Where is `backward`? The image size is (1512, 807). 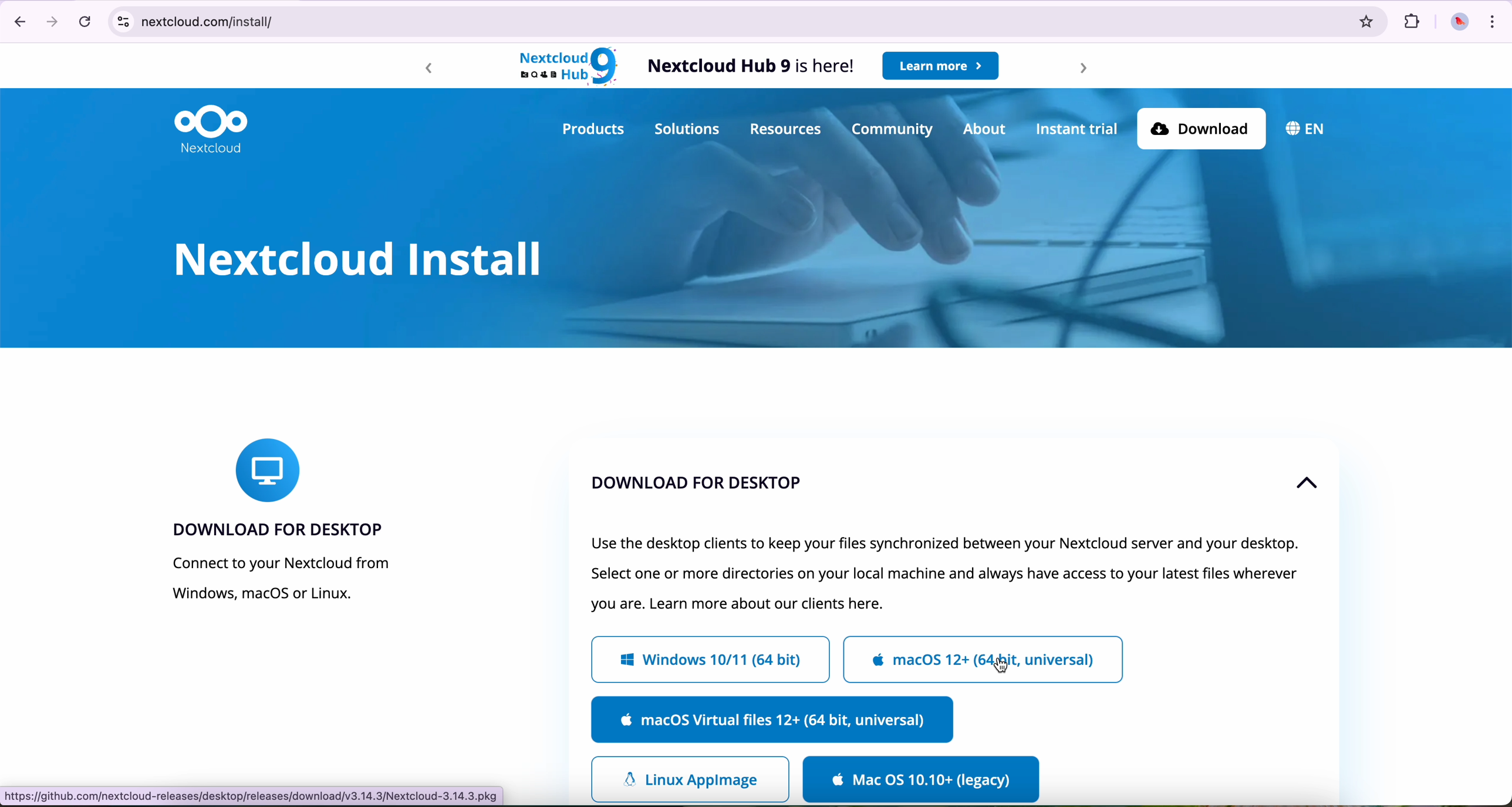 backward is located at coordinates (423, 68).